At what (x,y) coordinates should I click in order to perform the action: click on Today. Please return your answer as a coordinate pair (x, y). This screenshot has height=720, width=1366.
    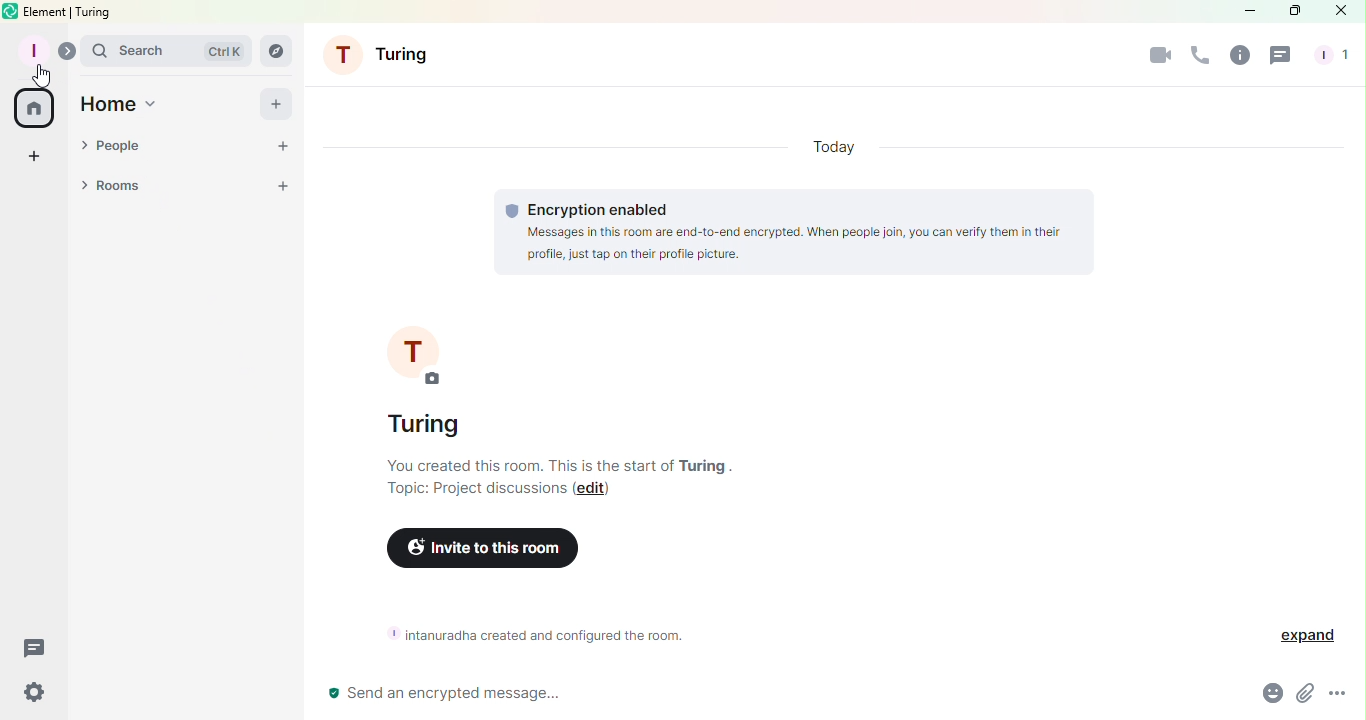
    Looking at the image, I should click on (836, 151).